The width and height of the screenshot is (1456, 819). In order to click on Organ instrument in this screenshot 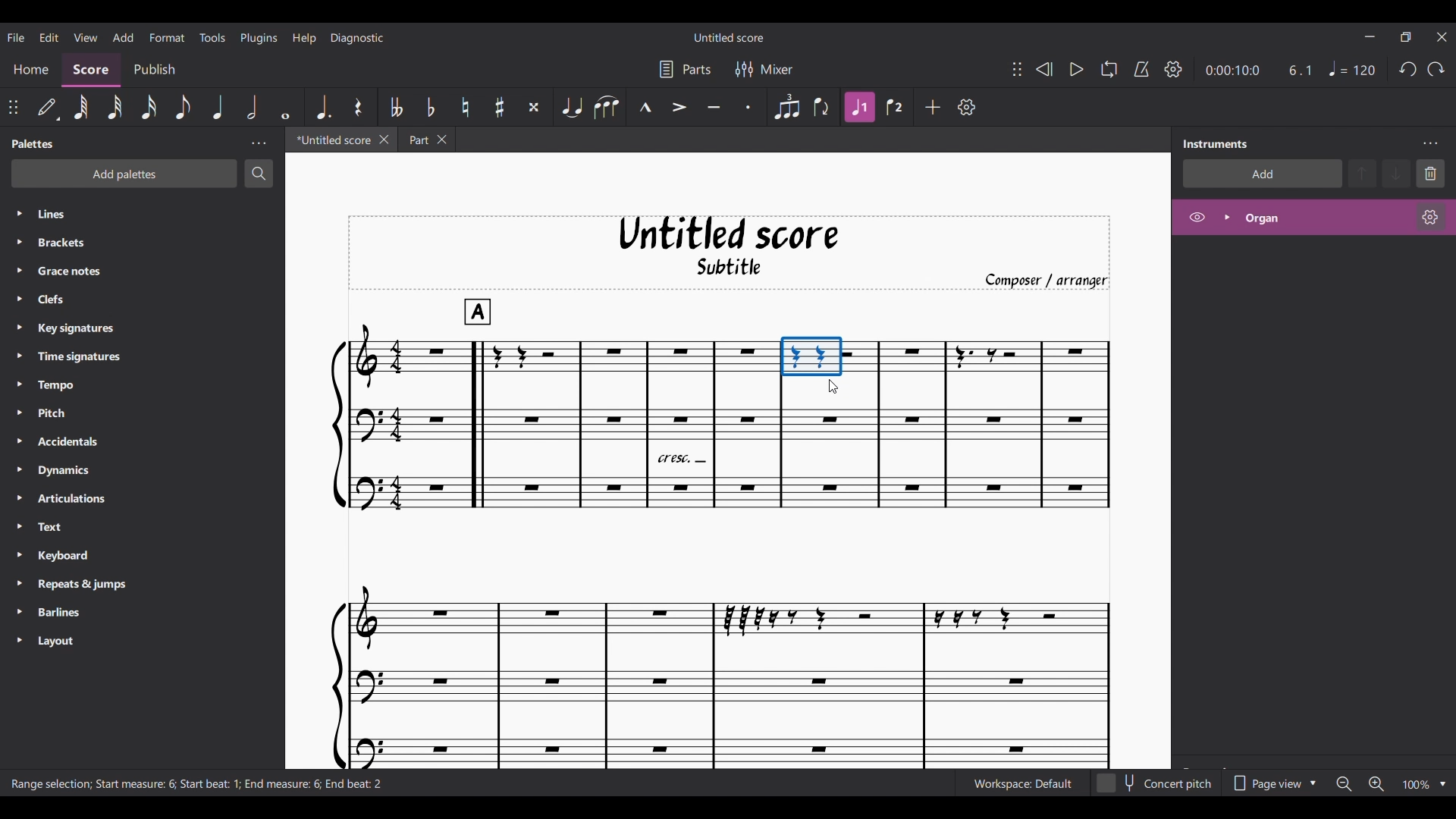, I will do `click(1323, 218)`.